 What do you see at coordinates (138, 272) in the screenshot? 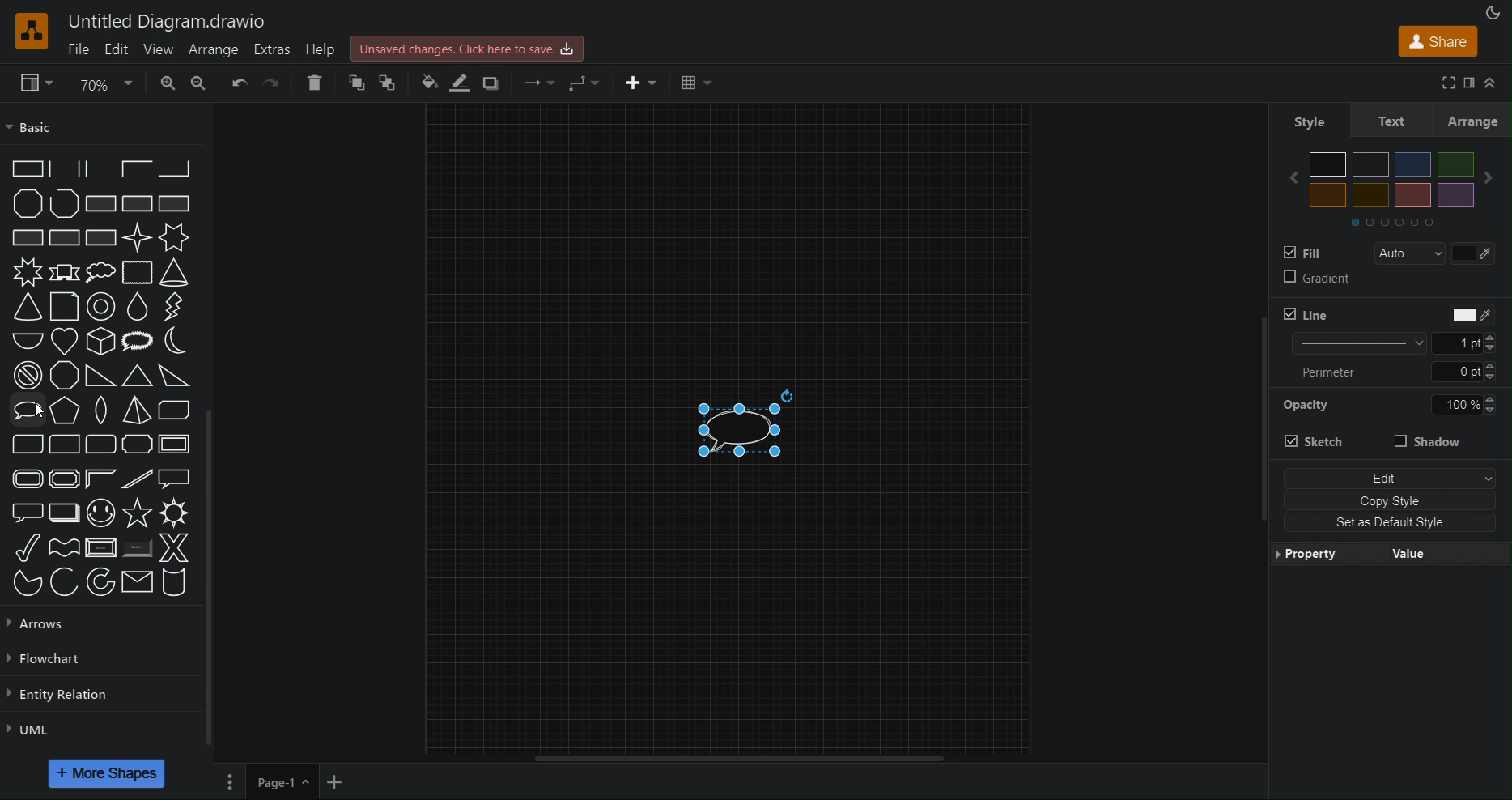
I see `Cloud Rectangle` at bounding box center [138, 272].